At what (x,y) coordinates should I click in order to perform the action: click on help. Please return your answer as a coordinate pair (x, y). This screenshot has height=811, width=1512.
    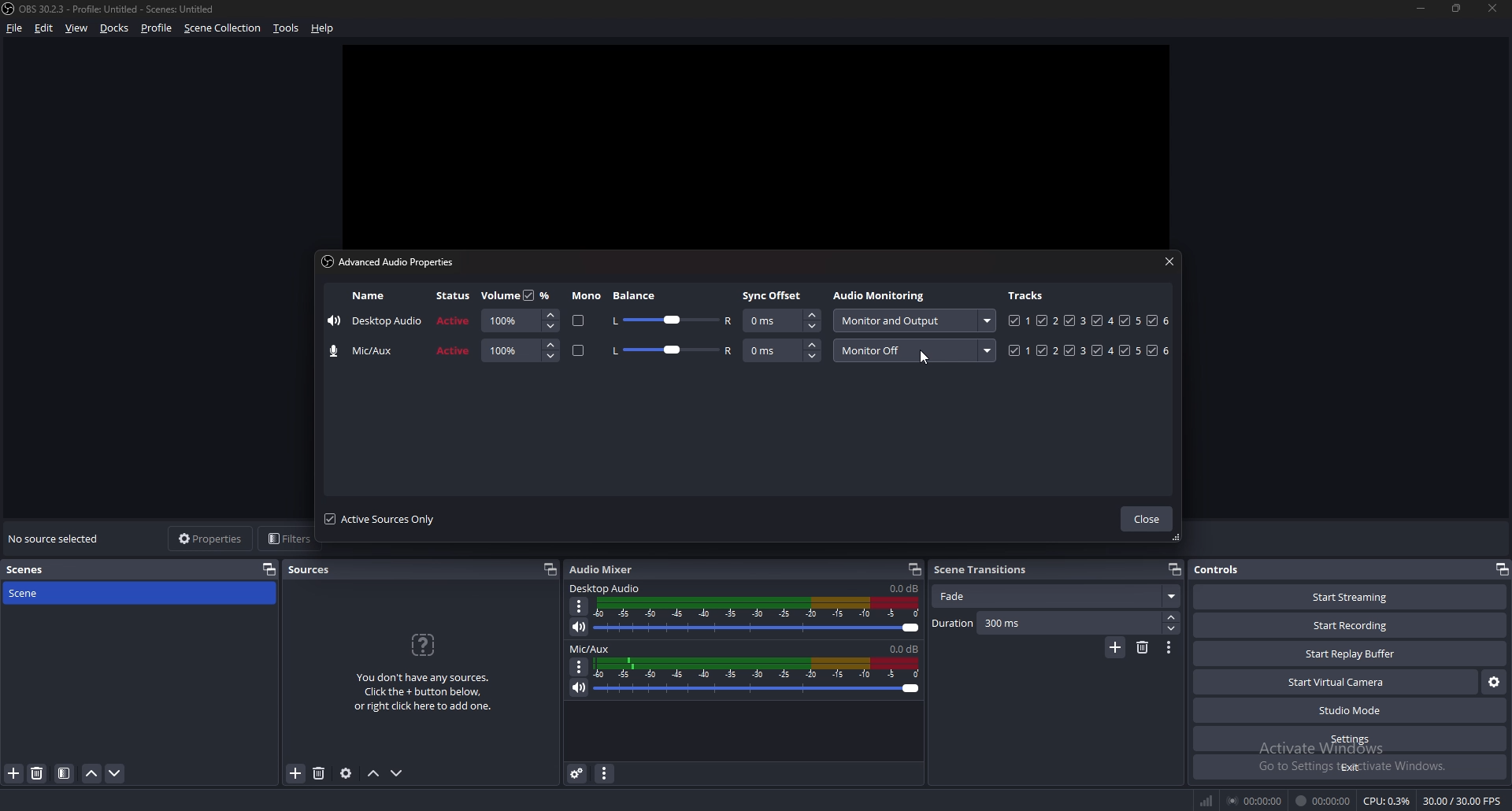
    Looking at the image, I should click on (323, 28).